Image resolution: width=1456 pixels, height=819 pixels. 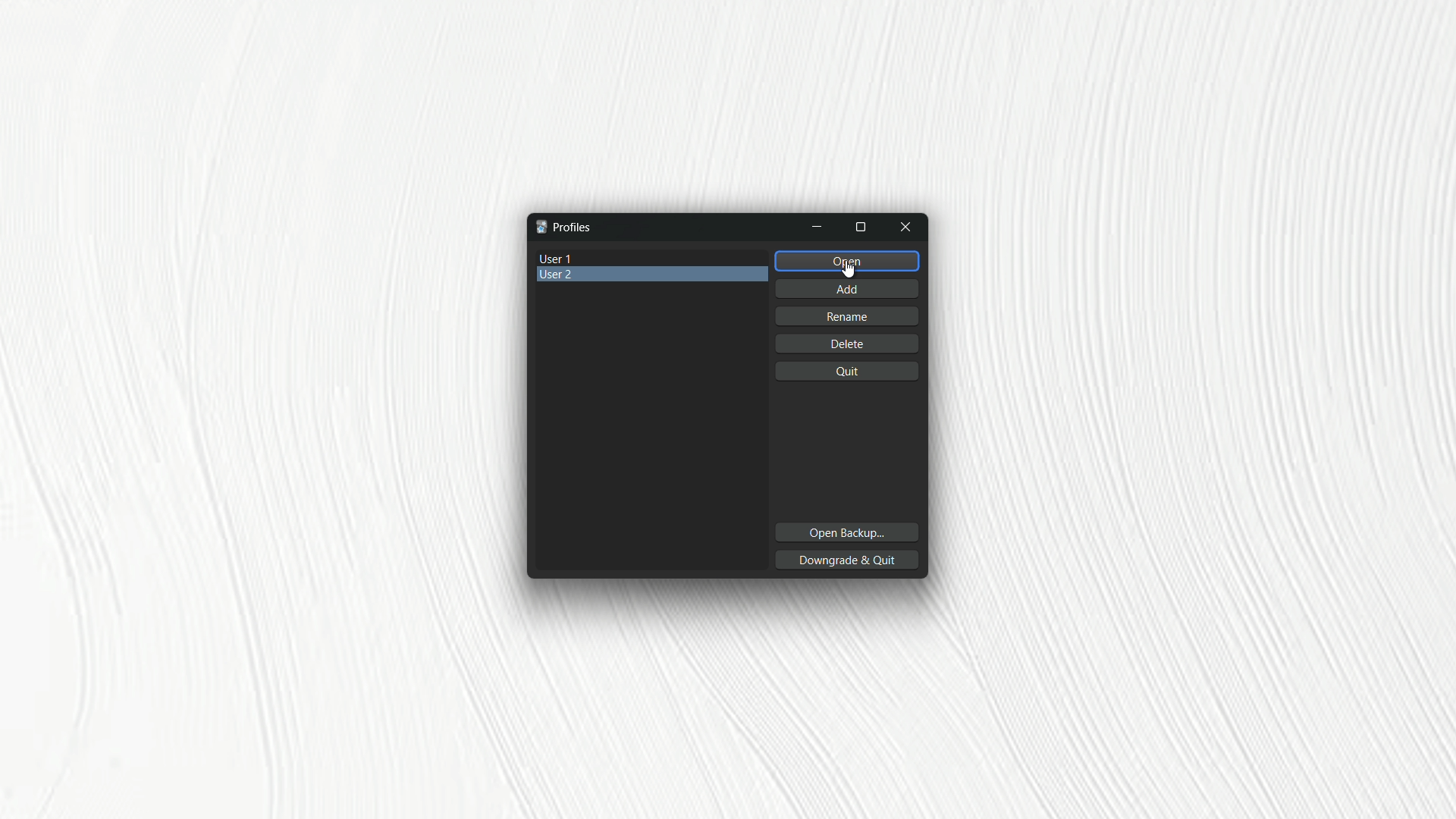 What do you see at coordinates (846, 272) in the screenshot?
I see `cursor` at bounding box center [846, 272].